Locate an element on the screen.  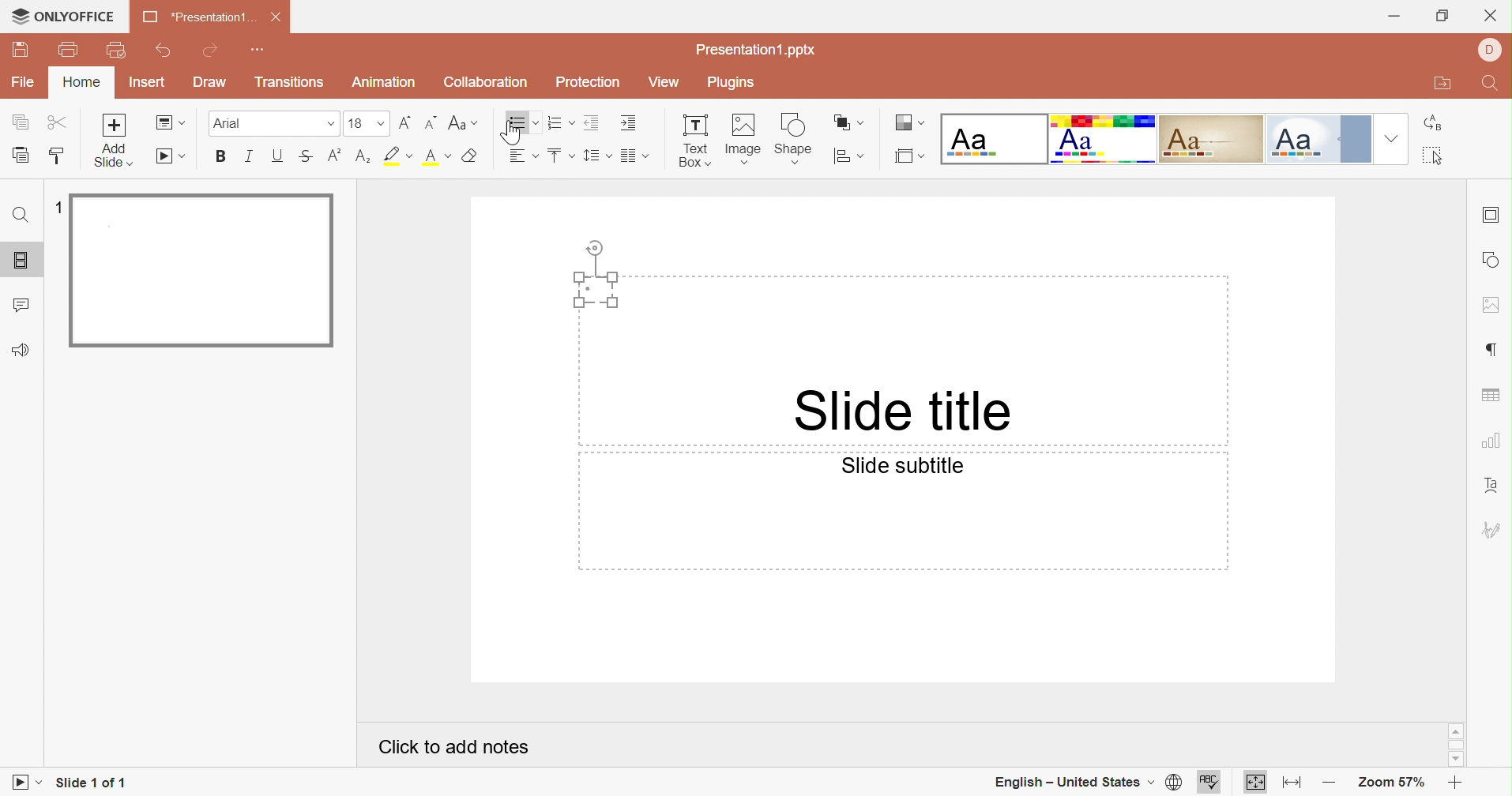
Copy style is located at coordinates (58, 160).